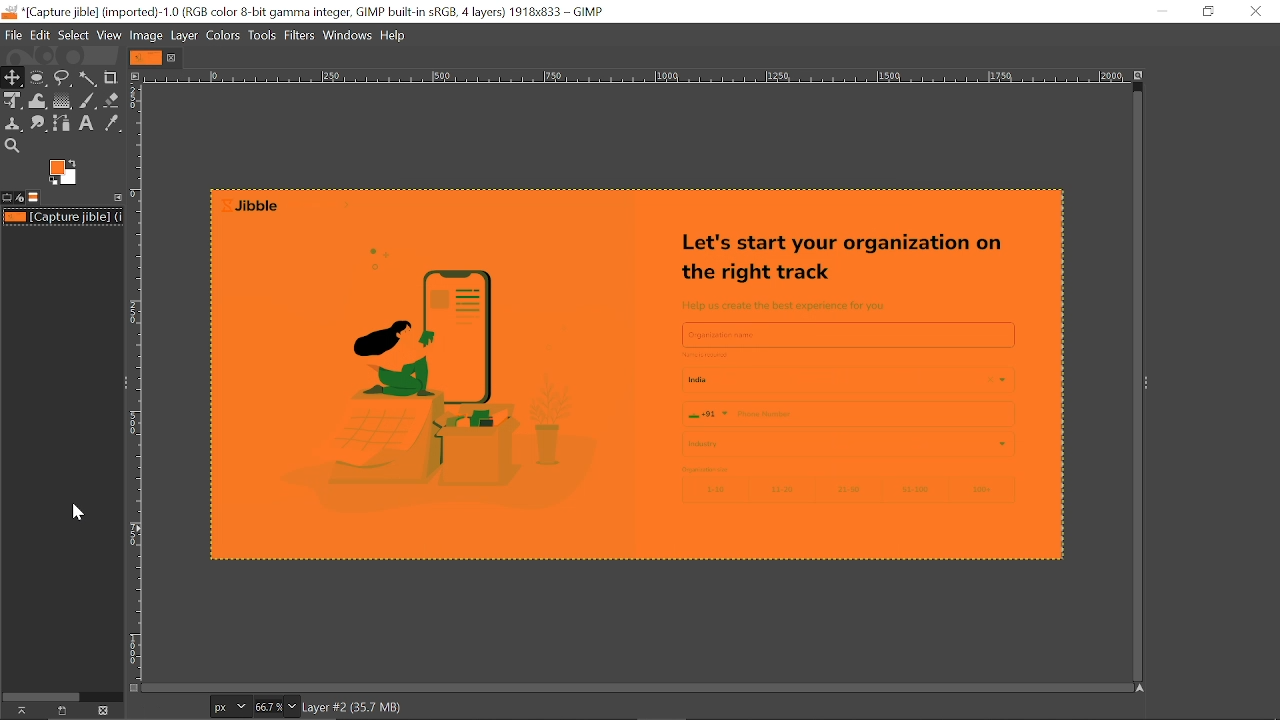 This screenshot has width=1280, height=720. I want to click on Create a new display for this image, so click(60, 711).